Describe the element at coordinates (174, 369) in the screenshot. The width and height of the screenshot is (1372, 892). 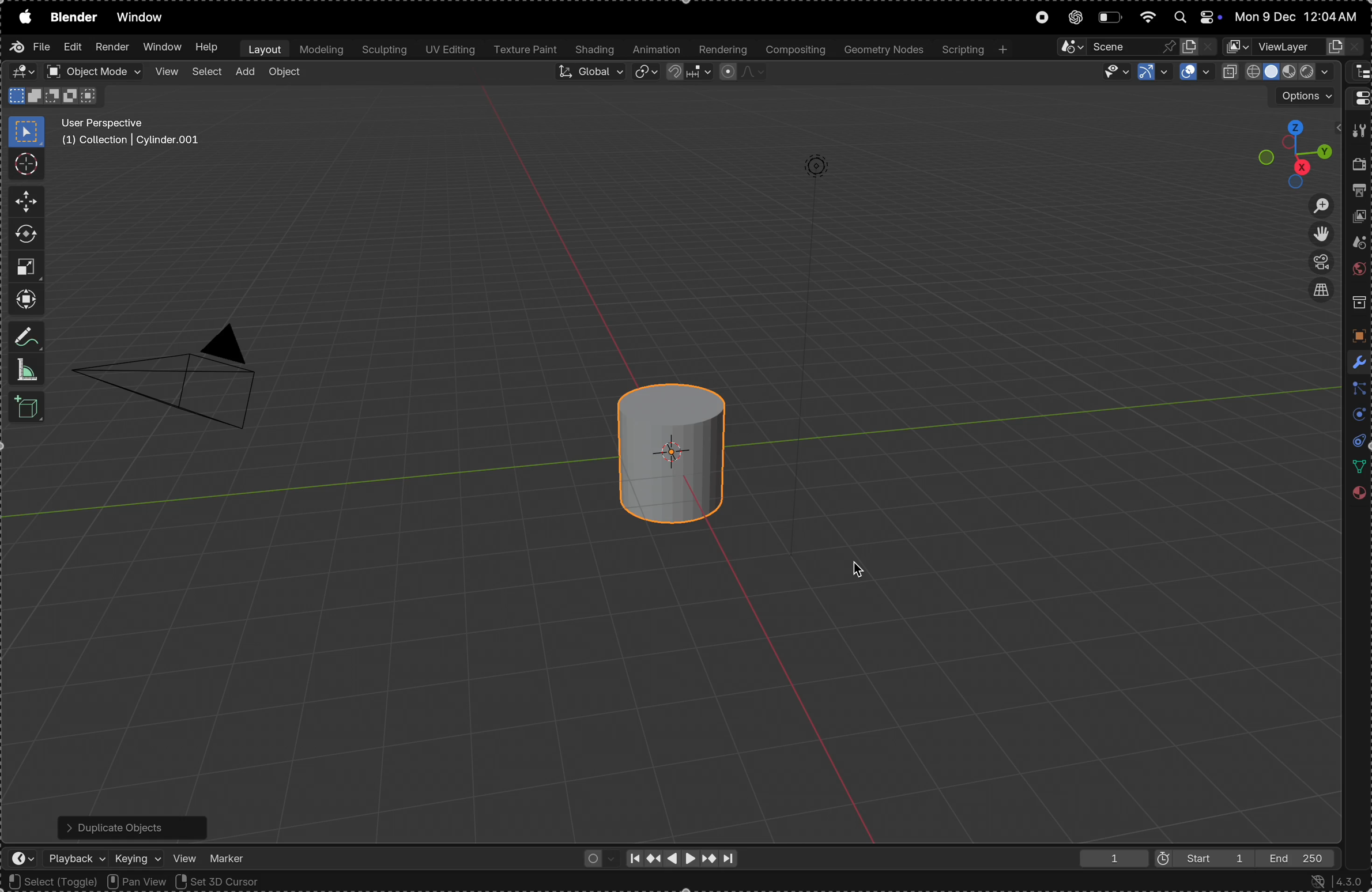
I see `camera perspective` at that location.